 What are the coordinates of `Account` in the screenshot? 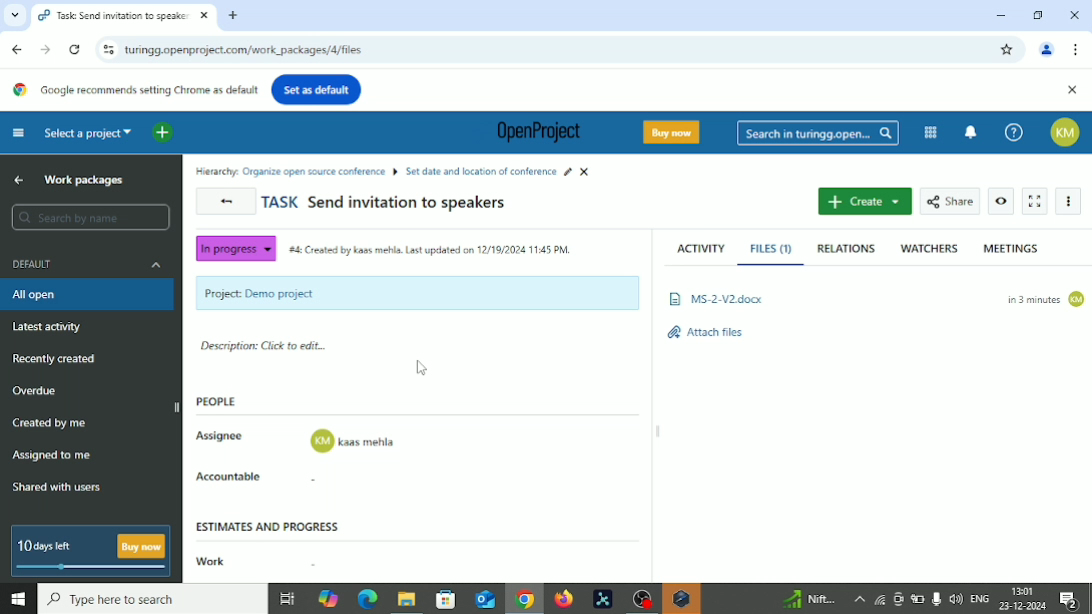 It's located at (1047, 51).